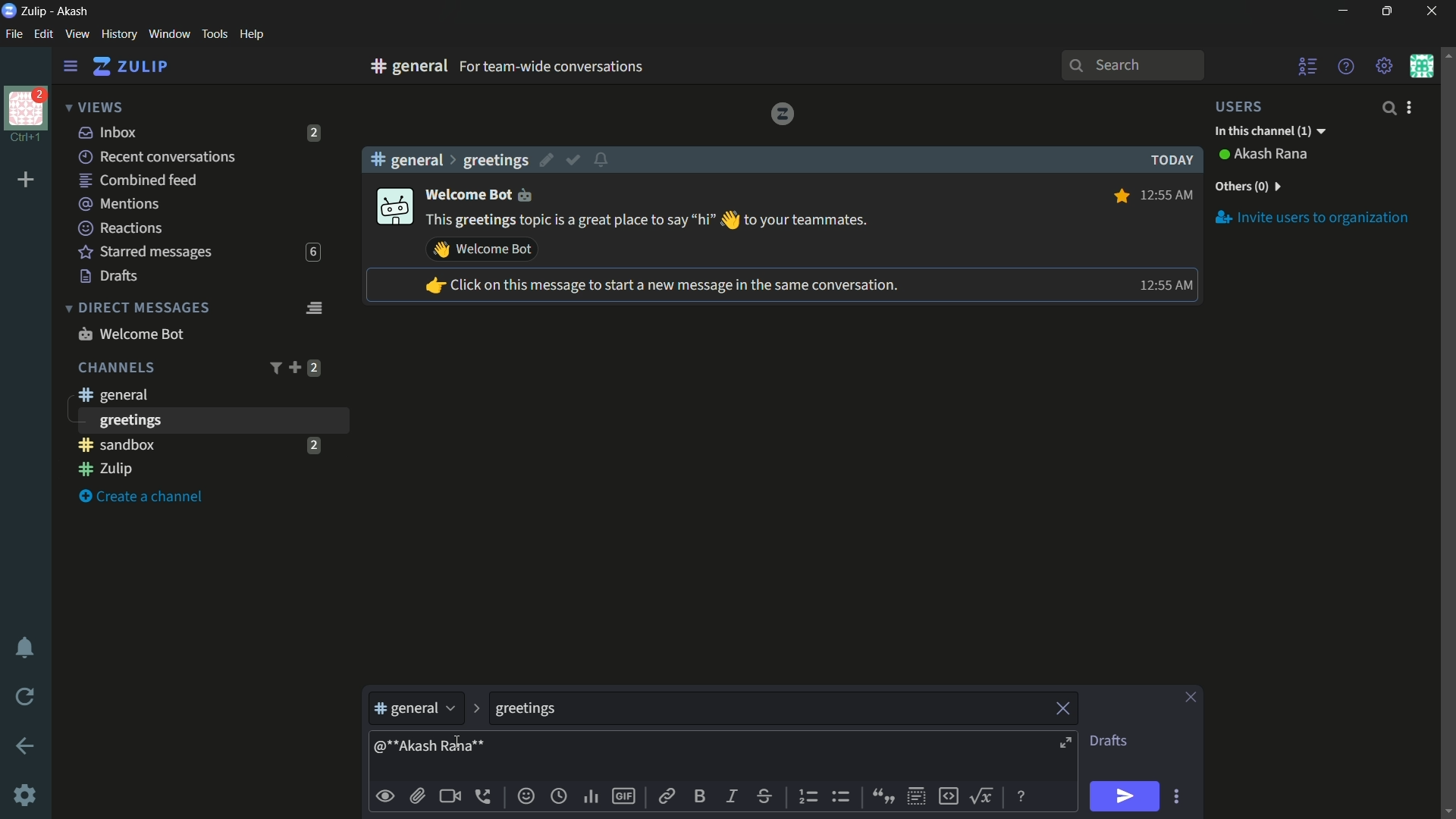  What do you see at coordinates (916, 797) in the screenshot?
I see `spoiler` at bounding box center [916, 797].